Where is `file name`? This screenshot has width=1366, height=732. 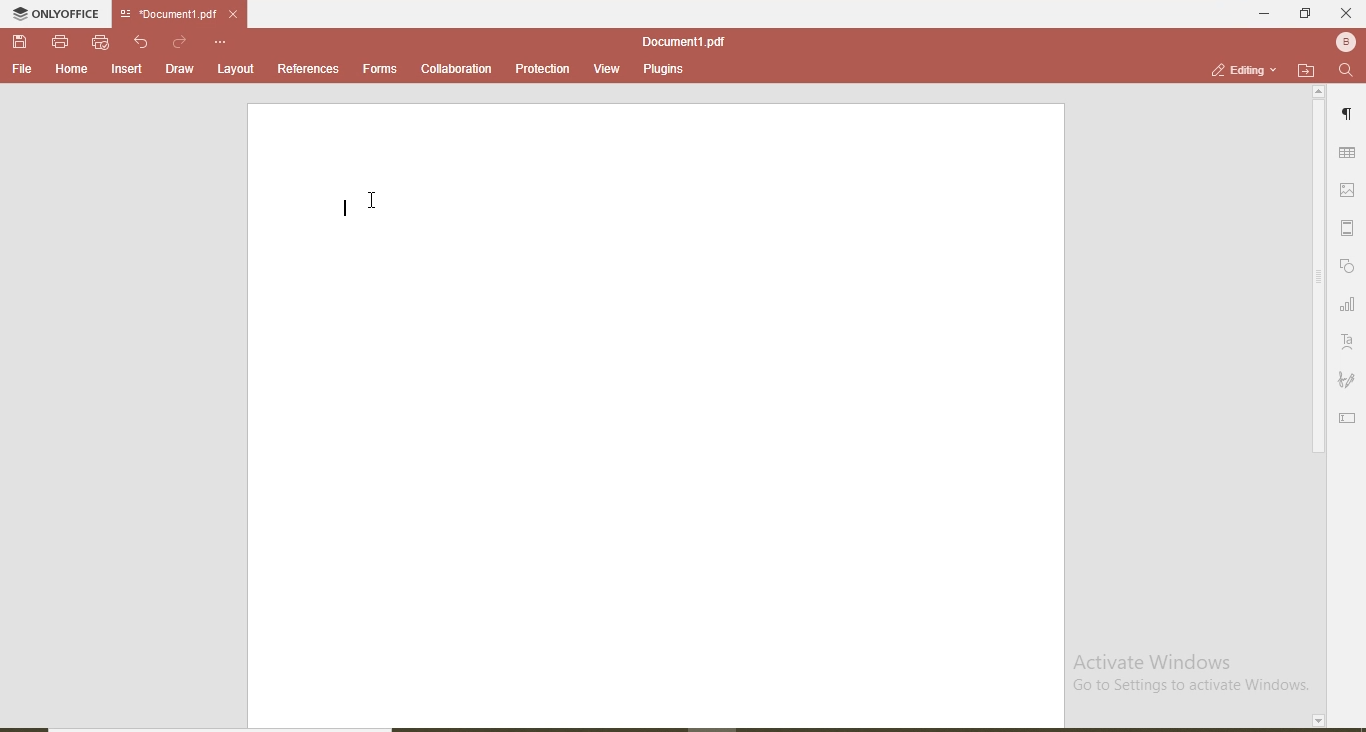
file name is located at coordinates (683, 41).